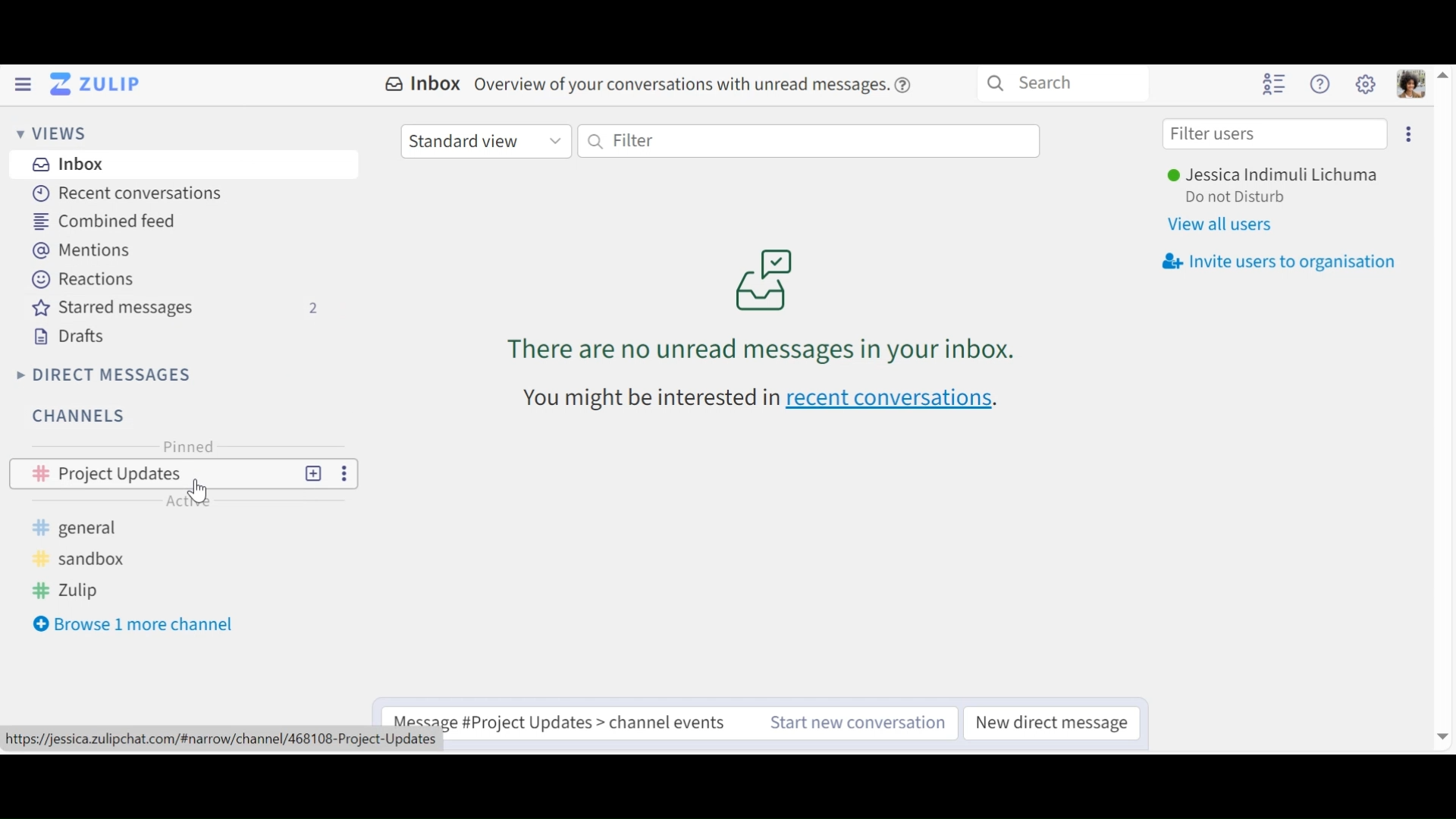 Image resolution: width=1456 pixels, height=819 pixels. I want to click on Go to Home View (Inbox), so click(96, 84).